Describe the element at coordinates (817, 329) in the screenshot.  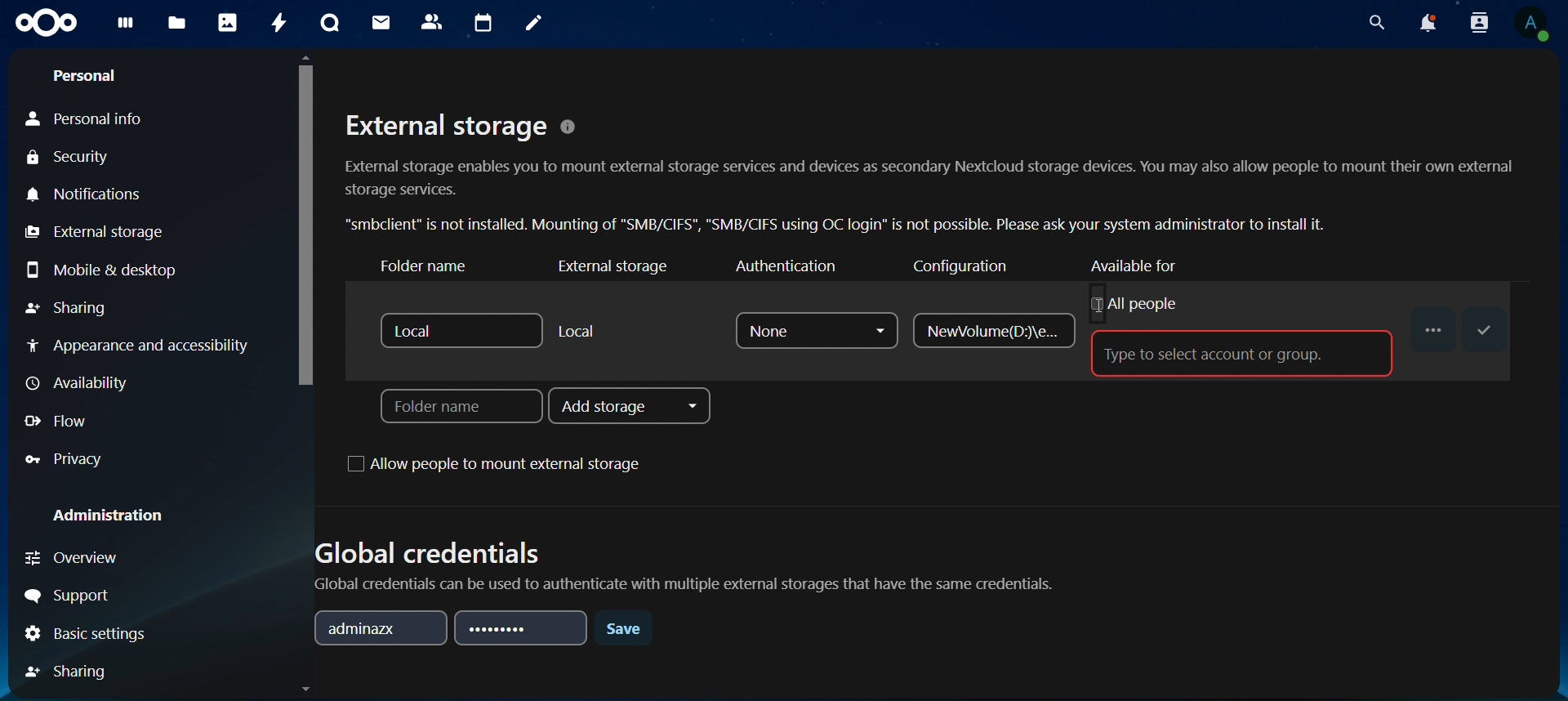
I see `none` at that location.